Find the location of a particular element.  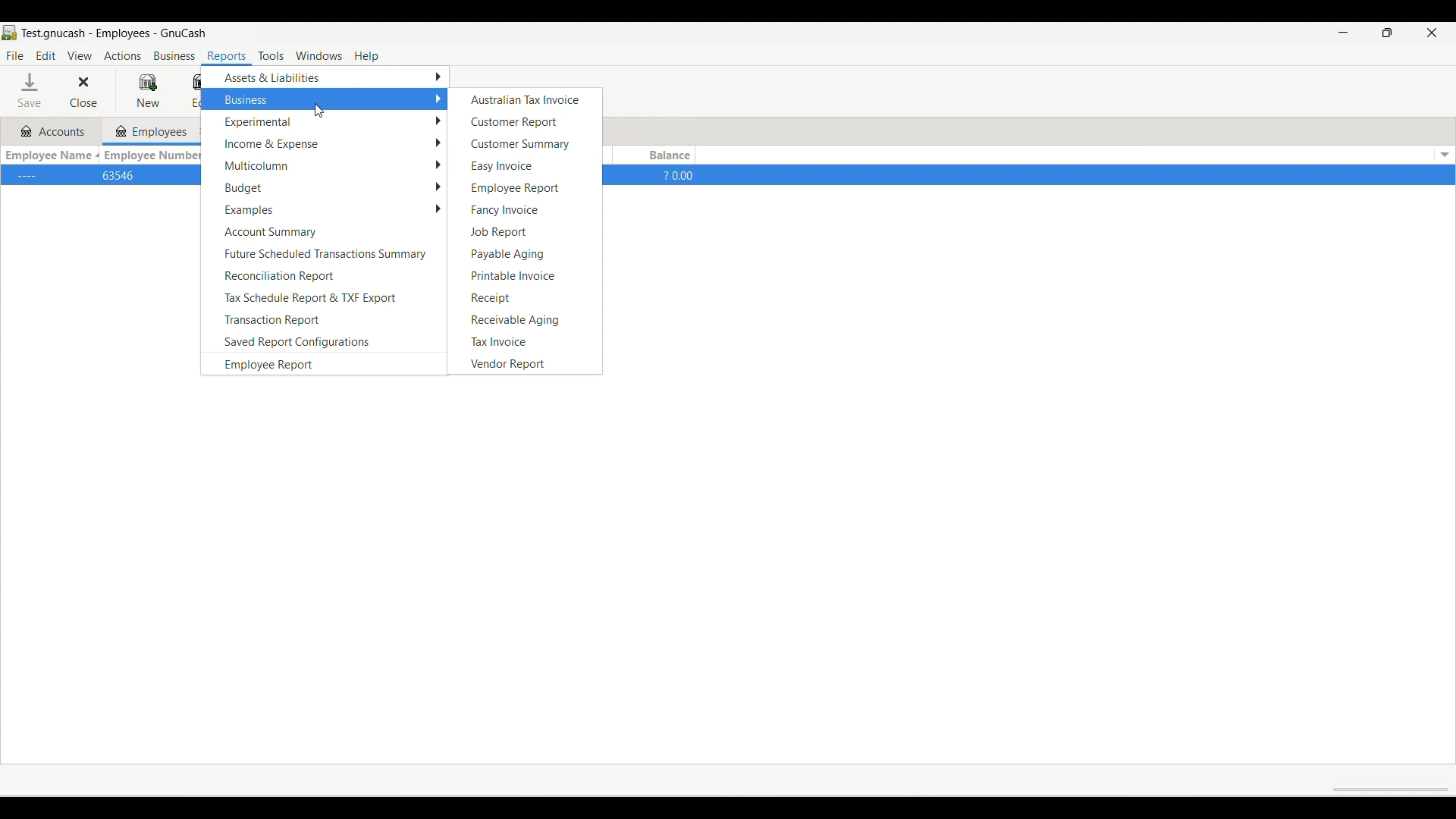

Tax schedule report and TXF export is located at coordinates (325, 297).